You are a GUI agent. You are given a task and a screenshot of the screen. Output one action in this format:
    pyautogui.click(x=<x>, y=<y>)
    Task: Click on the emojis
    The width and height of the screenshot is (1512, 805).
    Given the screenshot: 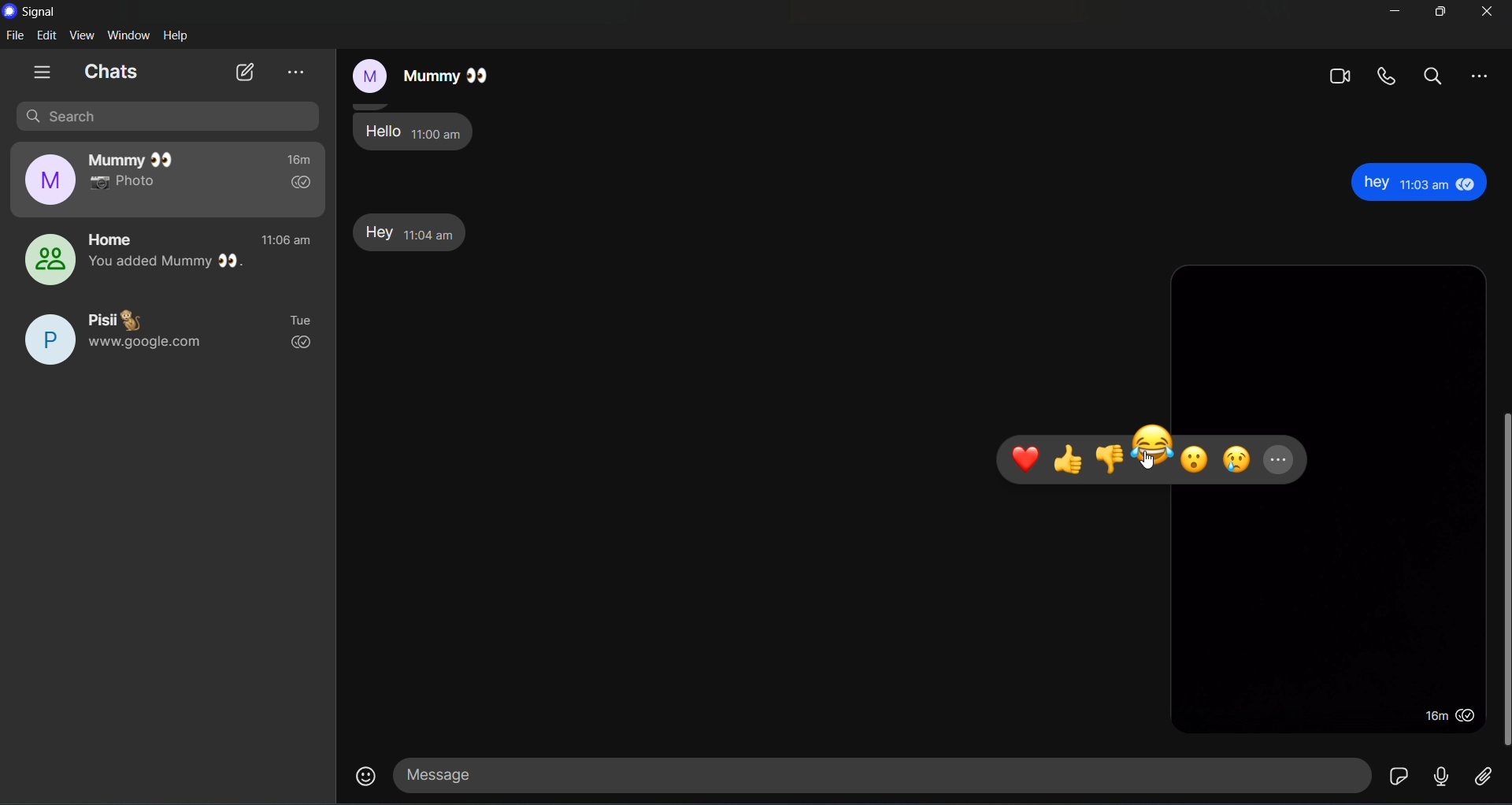 What is the action you would take?
    pyautogui.click(x=365, y=773)
    